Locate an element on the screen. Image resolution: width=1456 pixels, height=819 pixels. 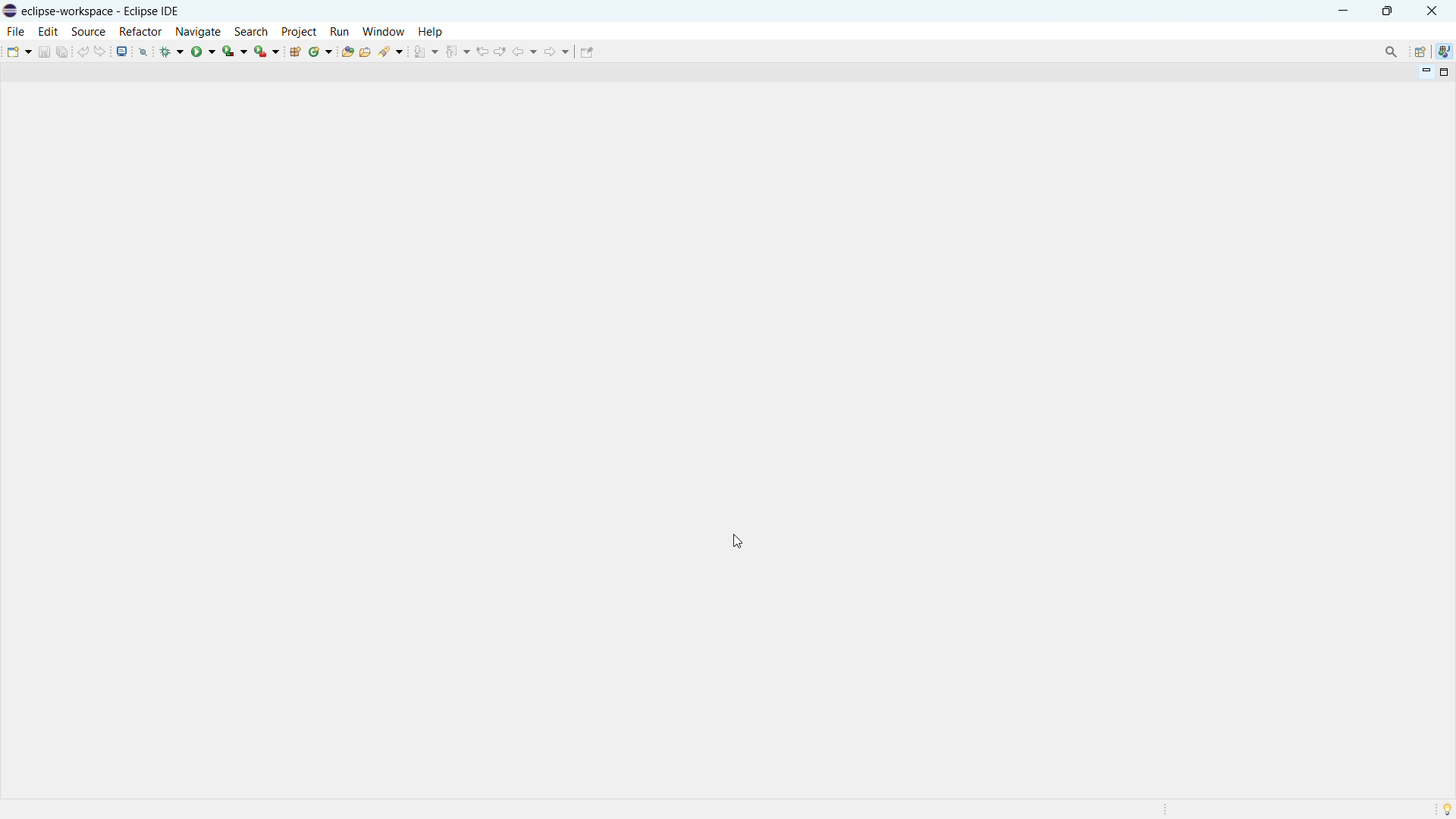
previous annotation is located at coordinates (456, 52).